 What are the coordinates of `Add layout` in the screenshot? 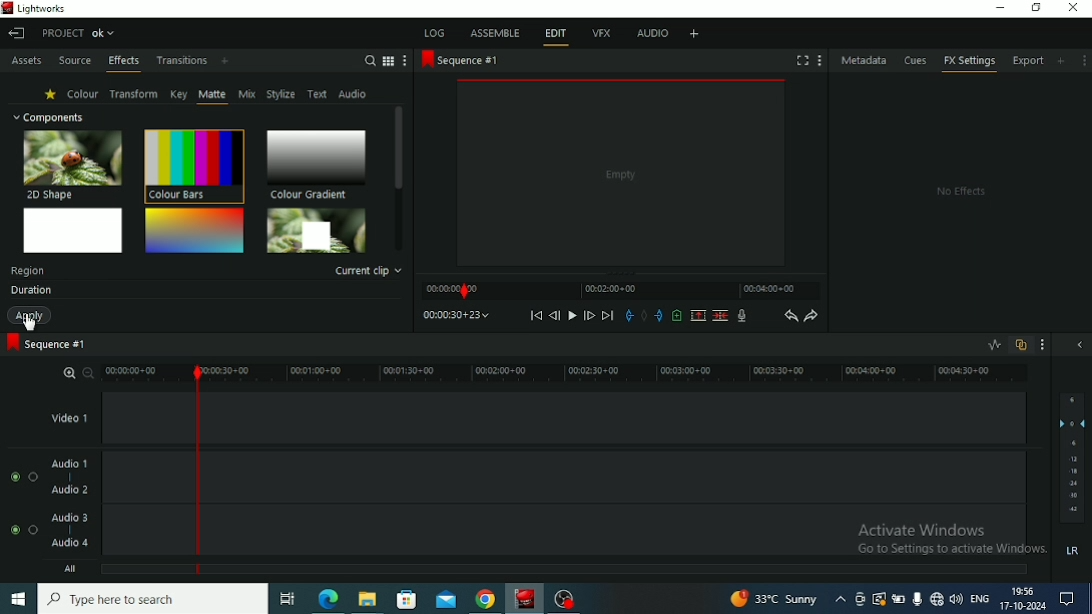 It's located at (693, 33).